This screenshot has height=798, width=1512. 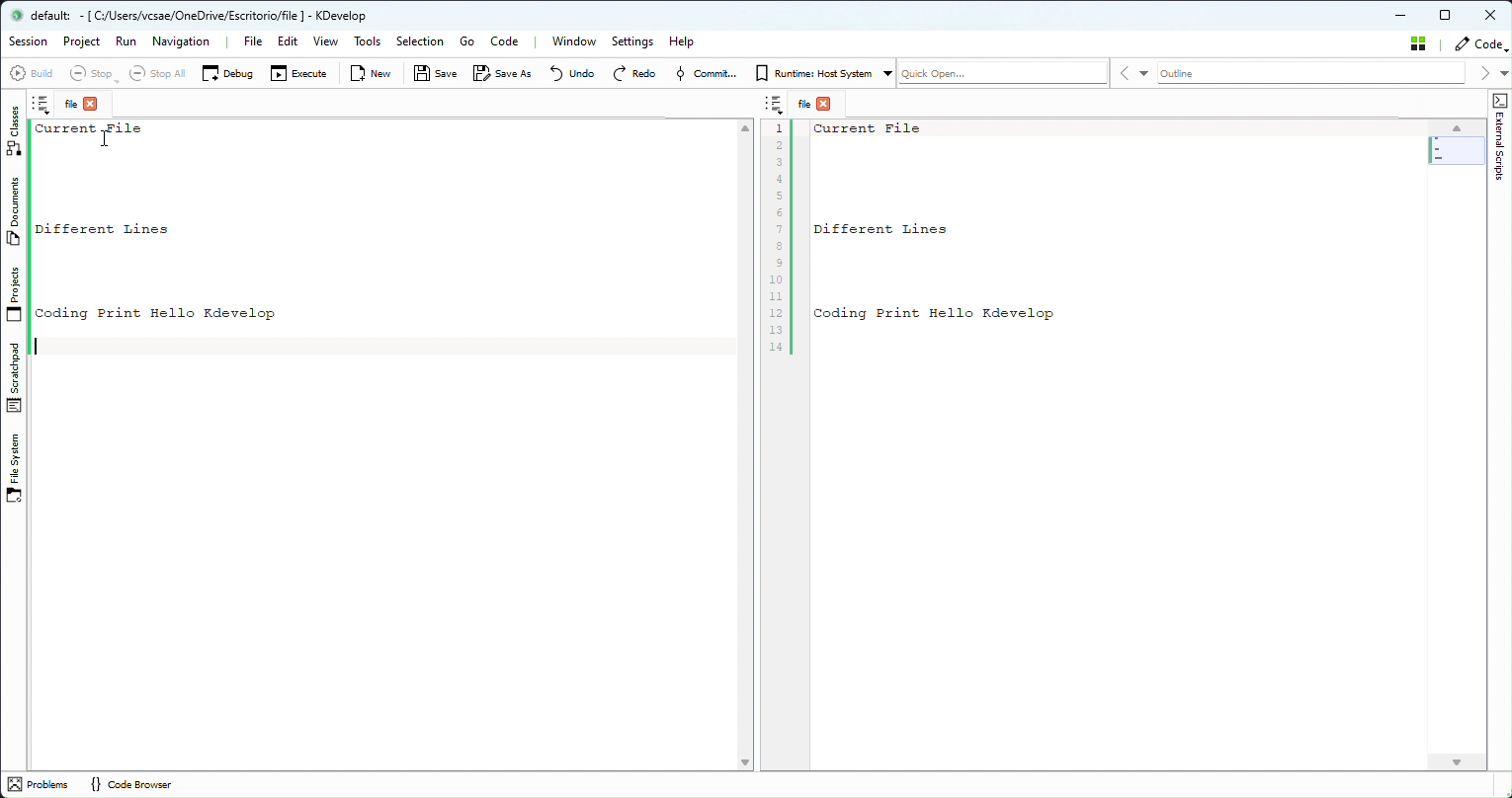 I want to click on Shape, so click(x=1501, y=138).